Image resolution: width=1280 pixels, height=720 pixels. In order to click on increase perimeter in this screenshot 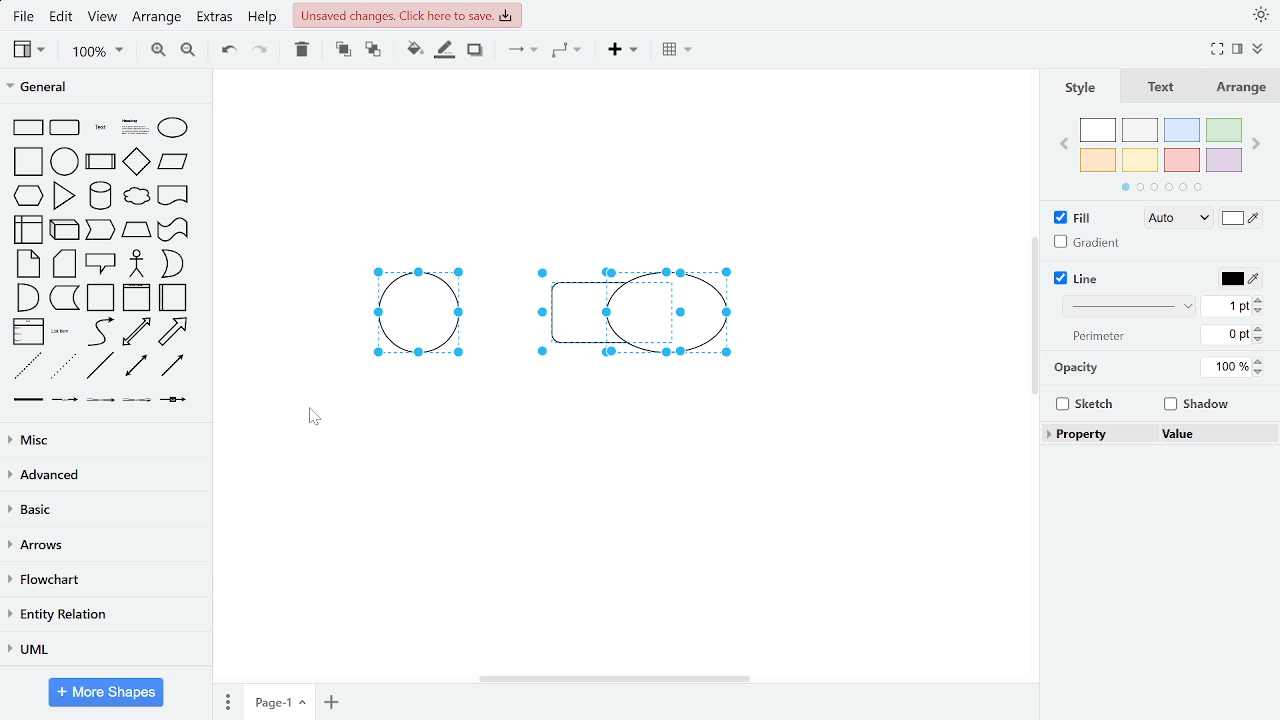, I will do `click(1262, 326)`.